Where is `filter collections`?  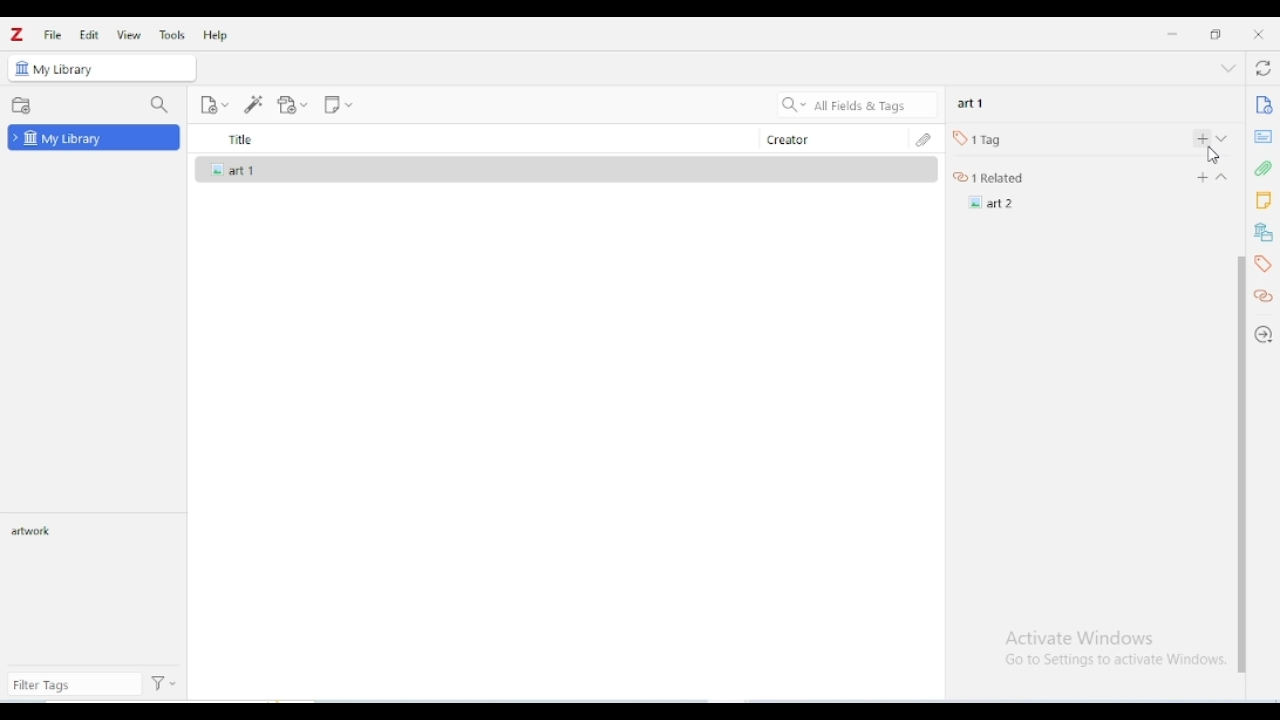 filter collections is located at coordinates (160, 105).